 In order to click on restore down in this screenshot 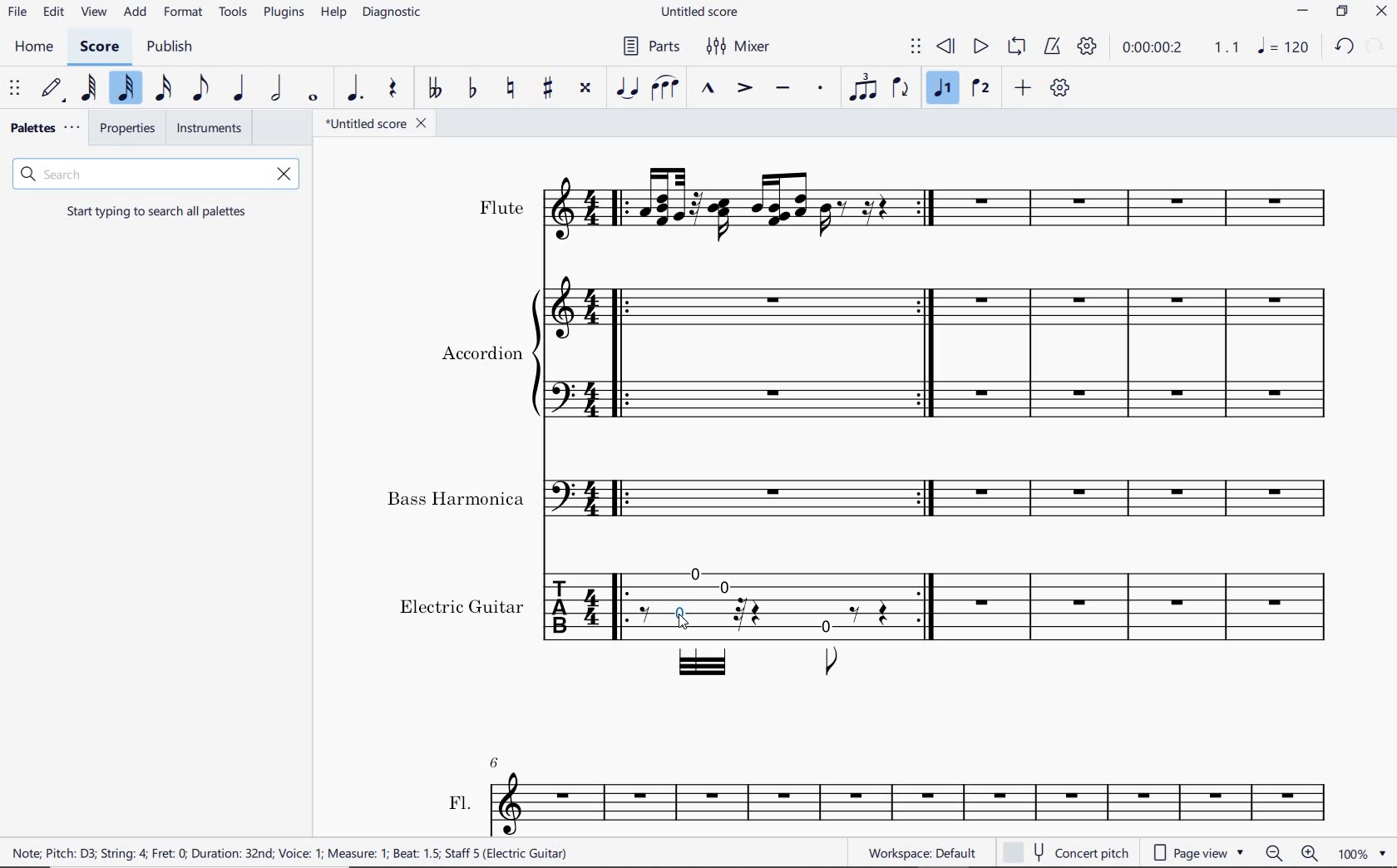, I will do `click(1341, 12)`.